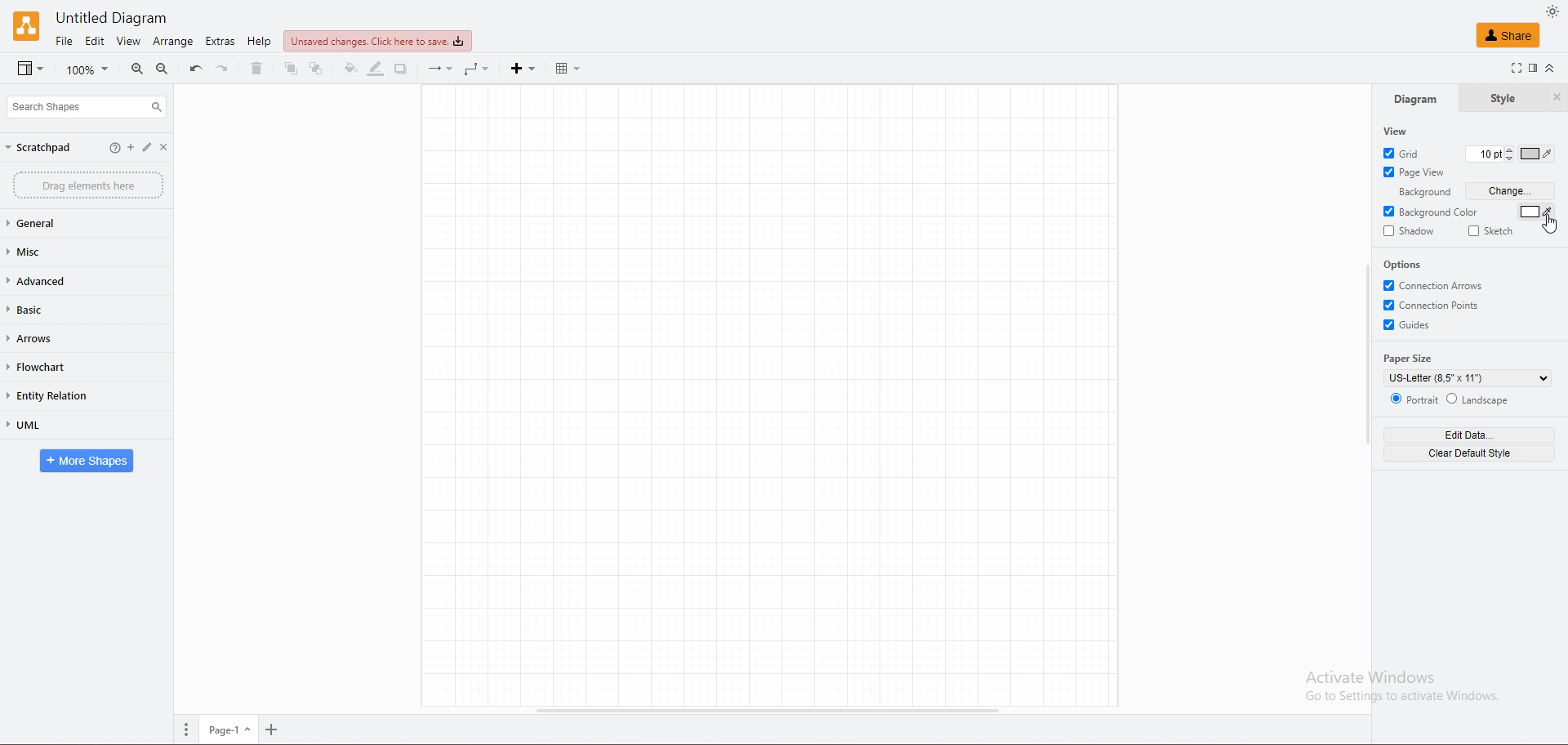  Describe the element at coordinates (275, 731) in the screenshot. I see `add page` at that location.